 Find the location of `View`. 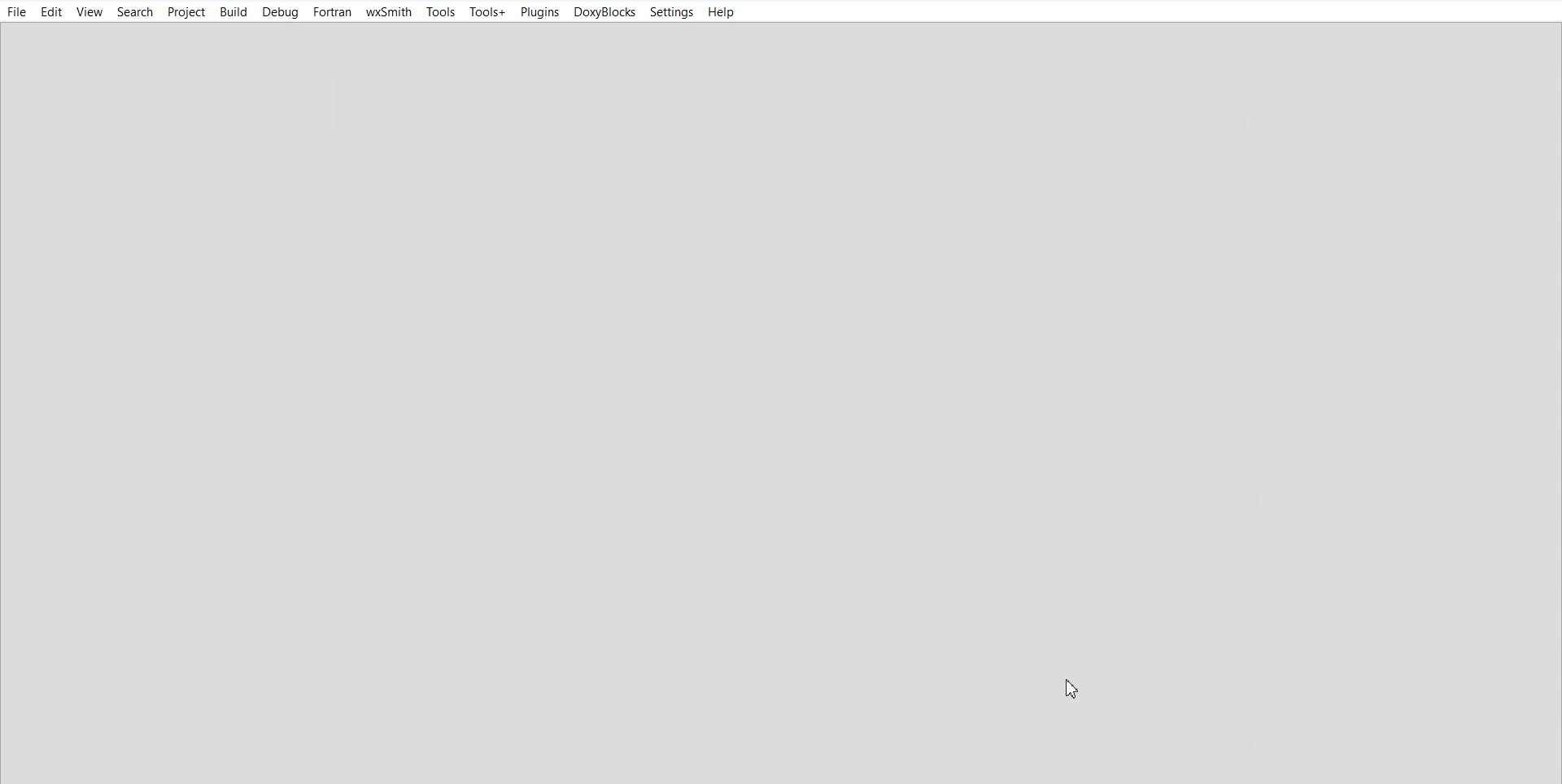

View is located at coordinates (89, 13).